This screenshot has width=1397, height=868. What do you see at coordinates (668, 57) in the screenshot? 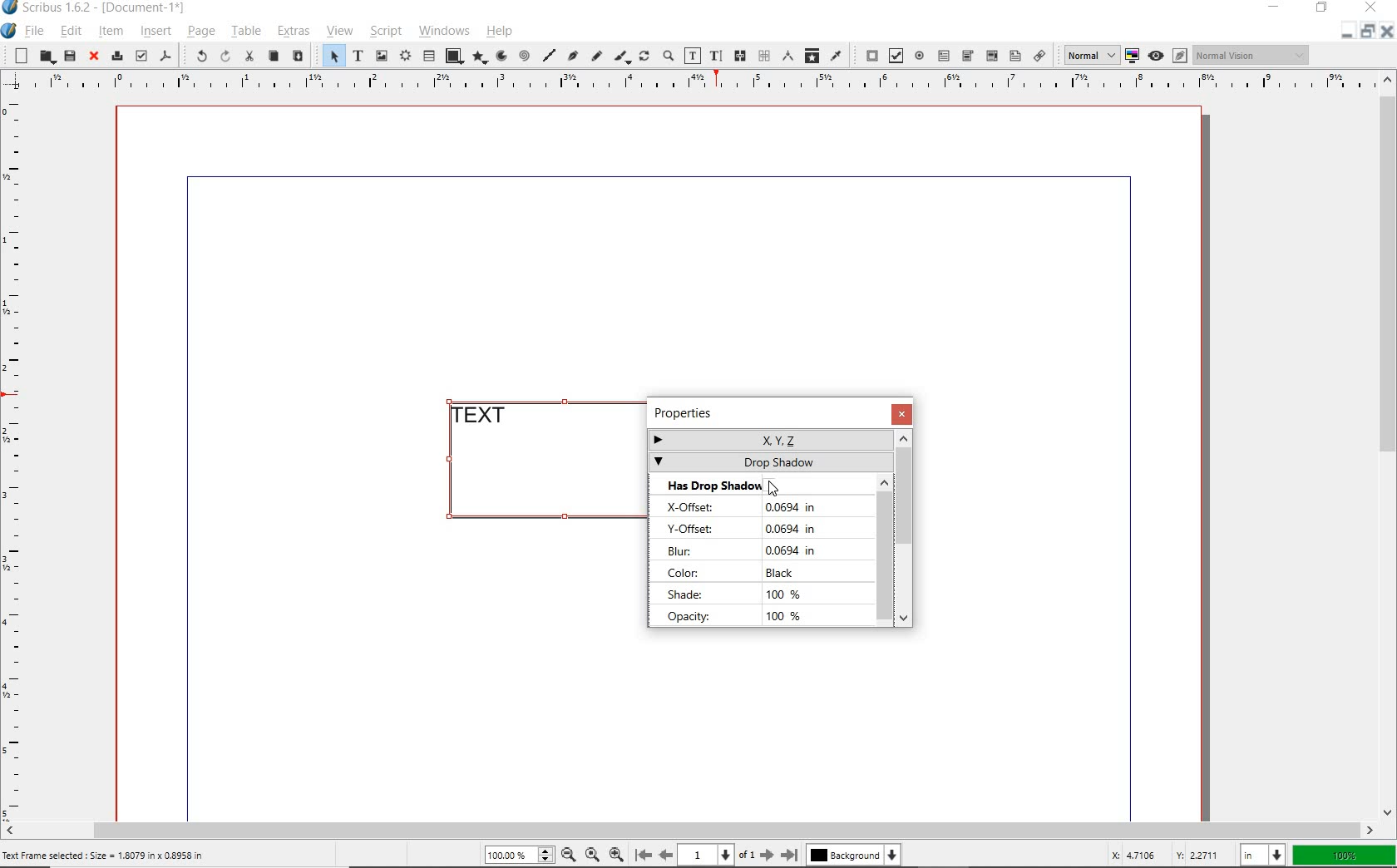
I see `zoom in or zoom out` at bounding box center [668, 57].